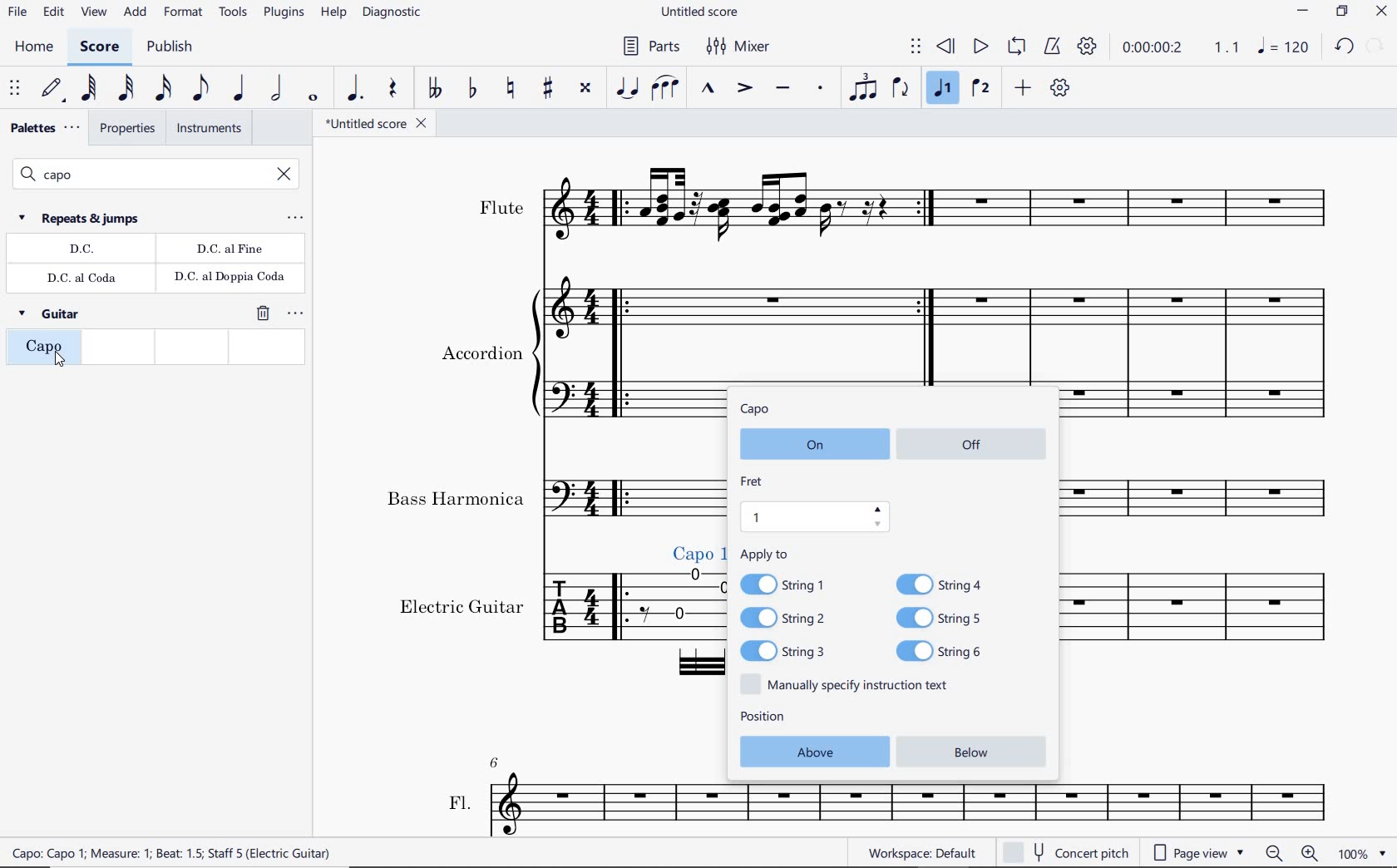 This screenshot has width=1397, height=868. Describe the element at coordinates (32, 47) in the screenshot. I see `home` at that location.